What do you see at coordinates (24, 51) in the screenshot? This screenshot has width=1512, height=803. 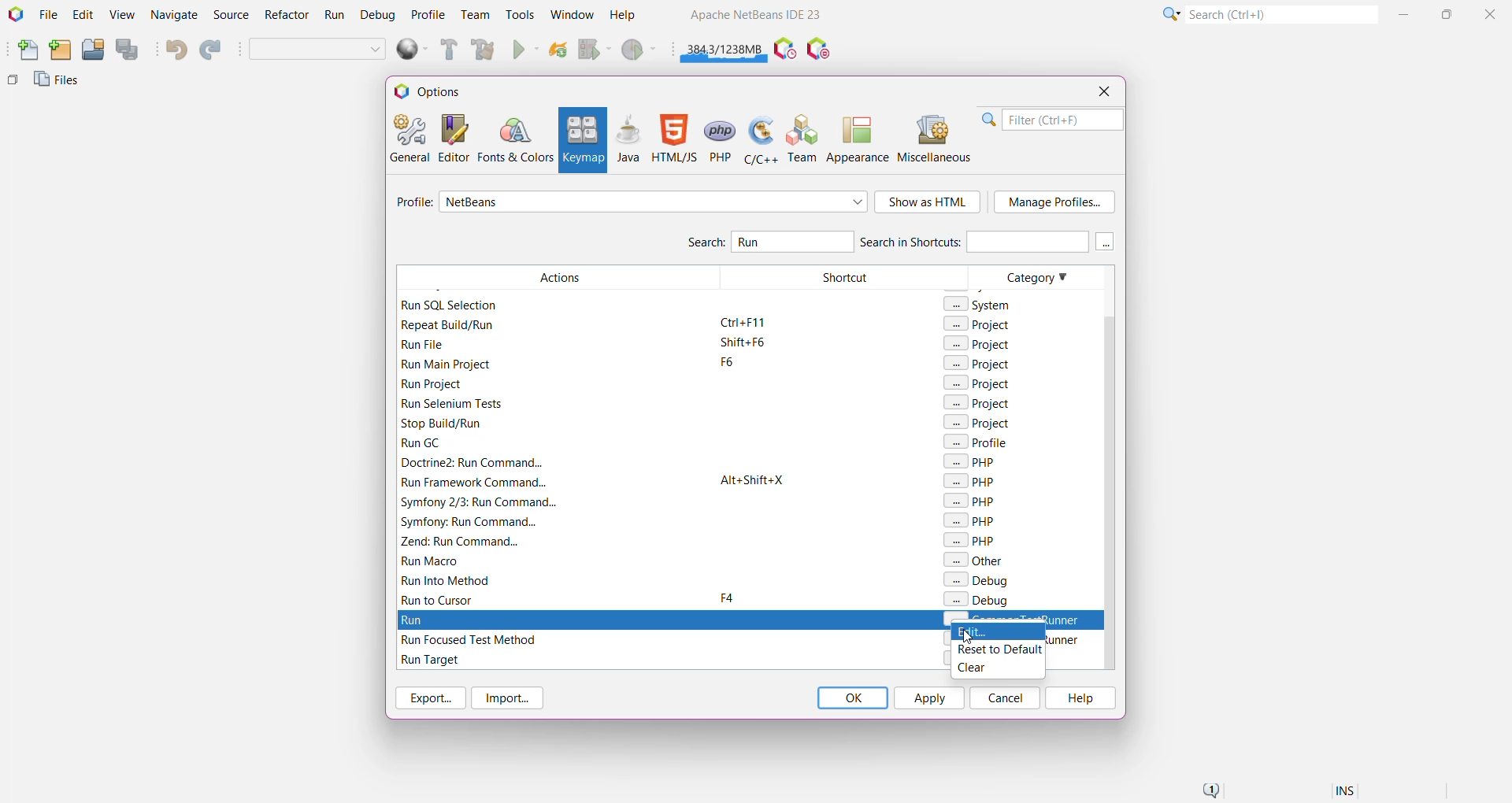 I see `New File` at bounding box center [24, 51].